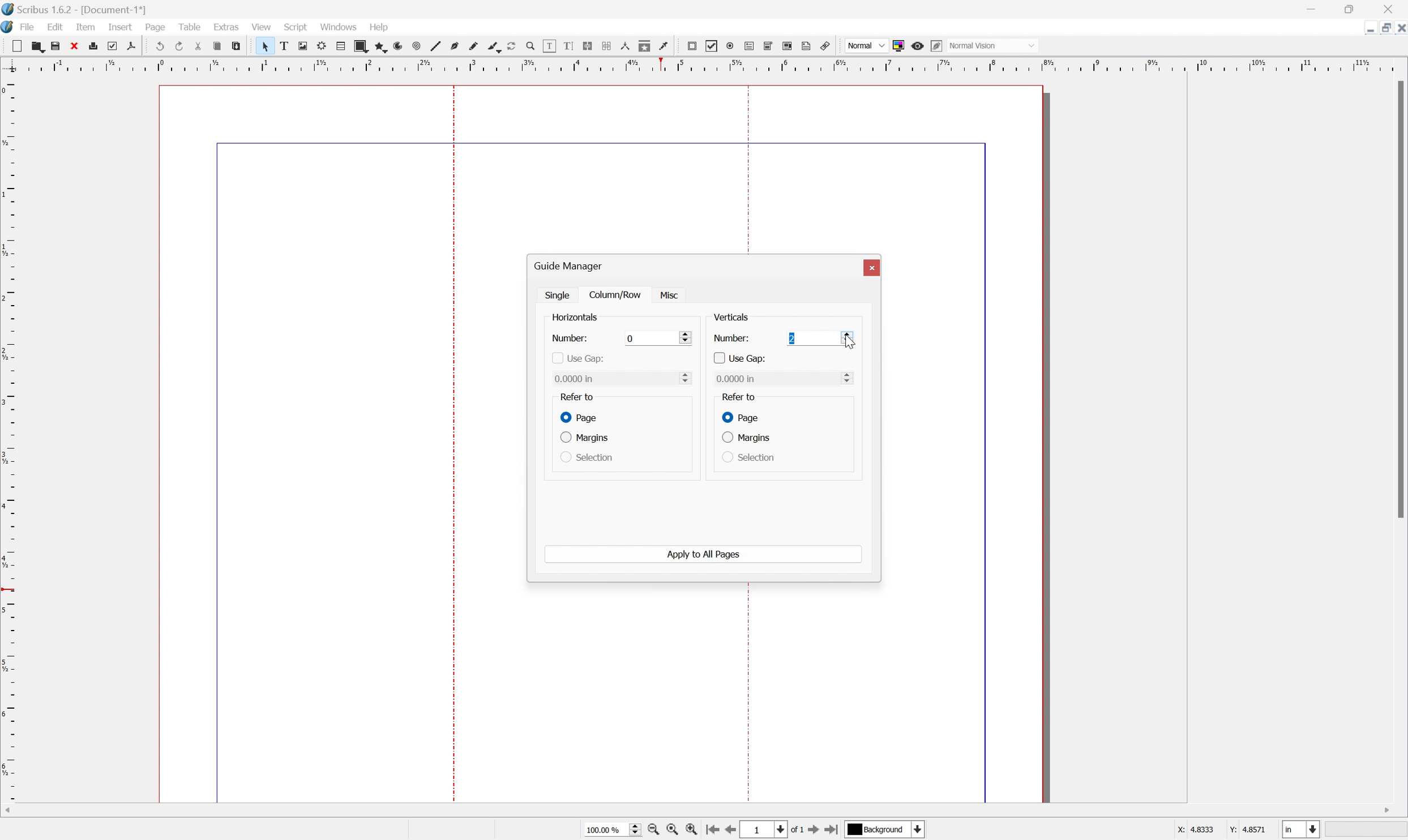  Describe the element at coordinates (788, 46) in the screenshot. I see `pdf list box` at that location.